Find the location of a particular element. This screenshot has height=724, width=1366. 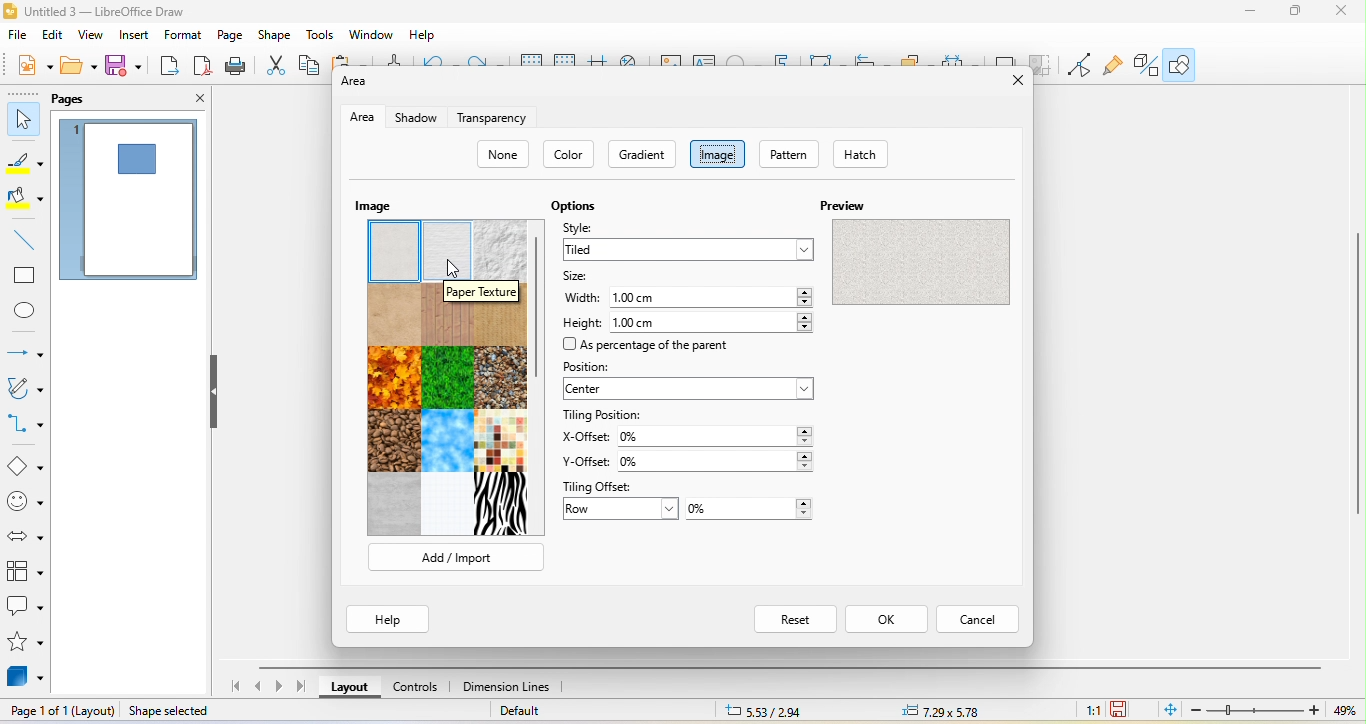

page 1 of 1 is located at coordinates (58, 712).